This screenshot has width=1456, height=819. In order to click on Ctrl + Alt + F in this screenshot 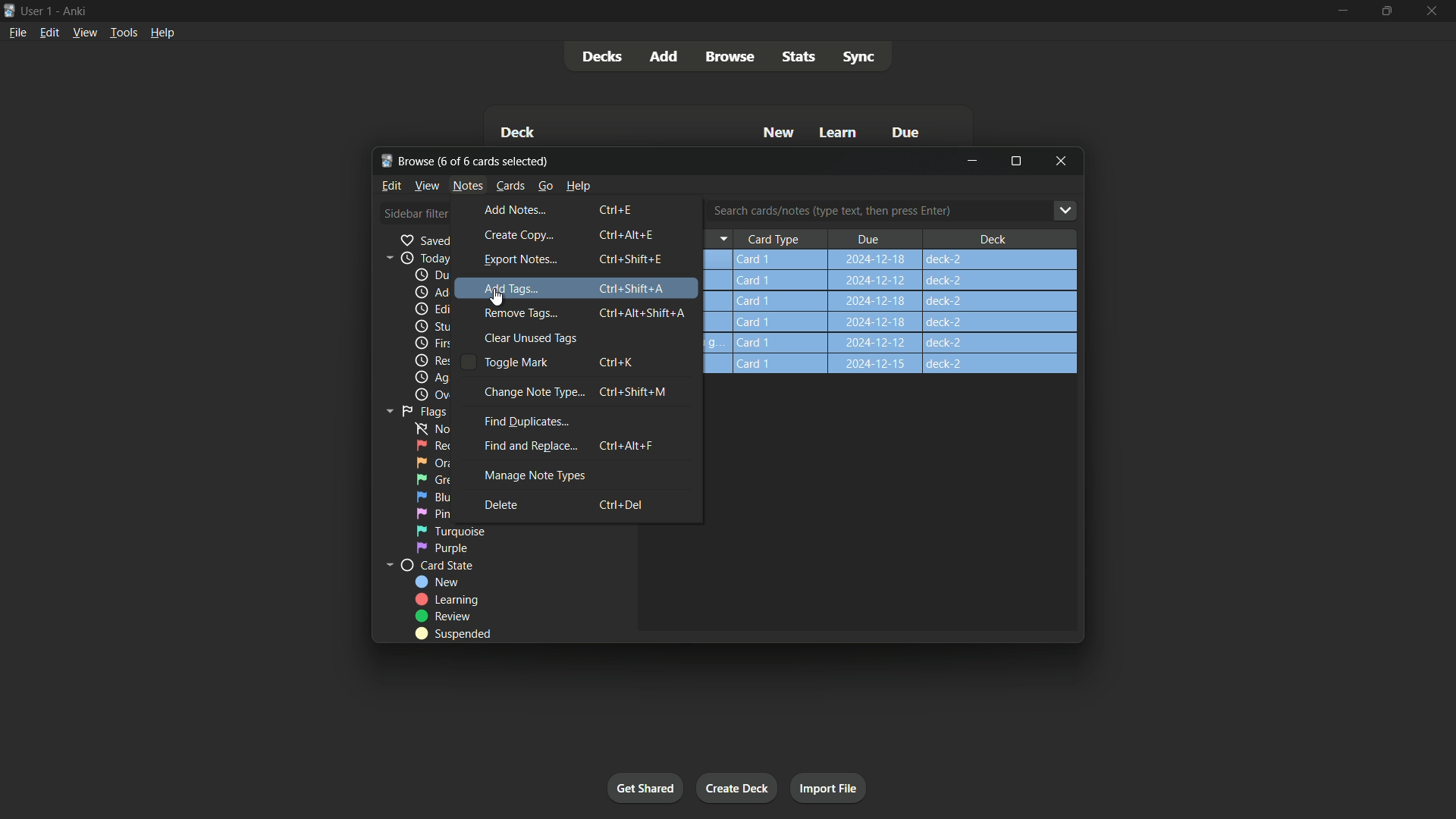, I will do `click(625, 444)`.